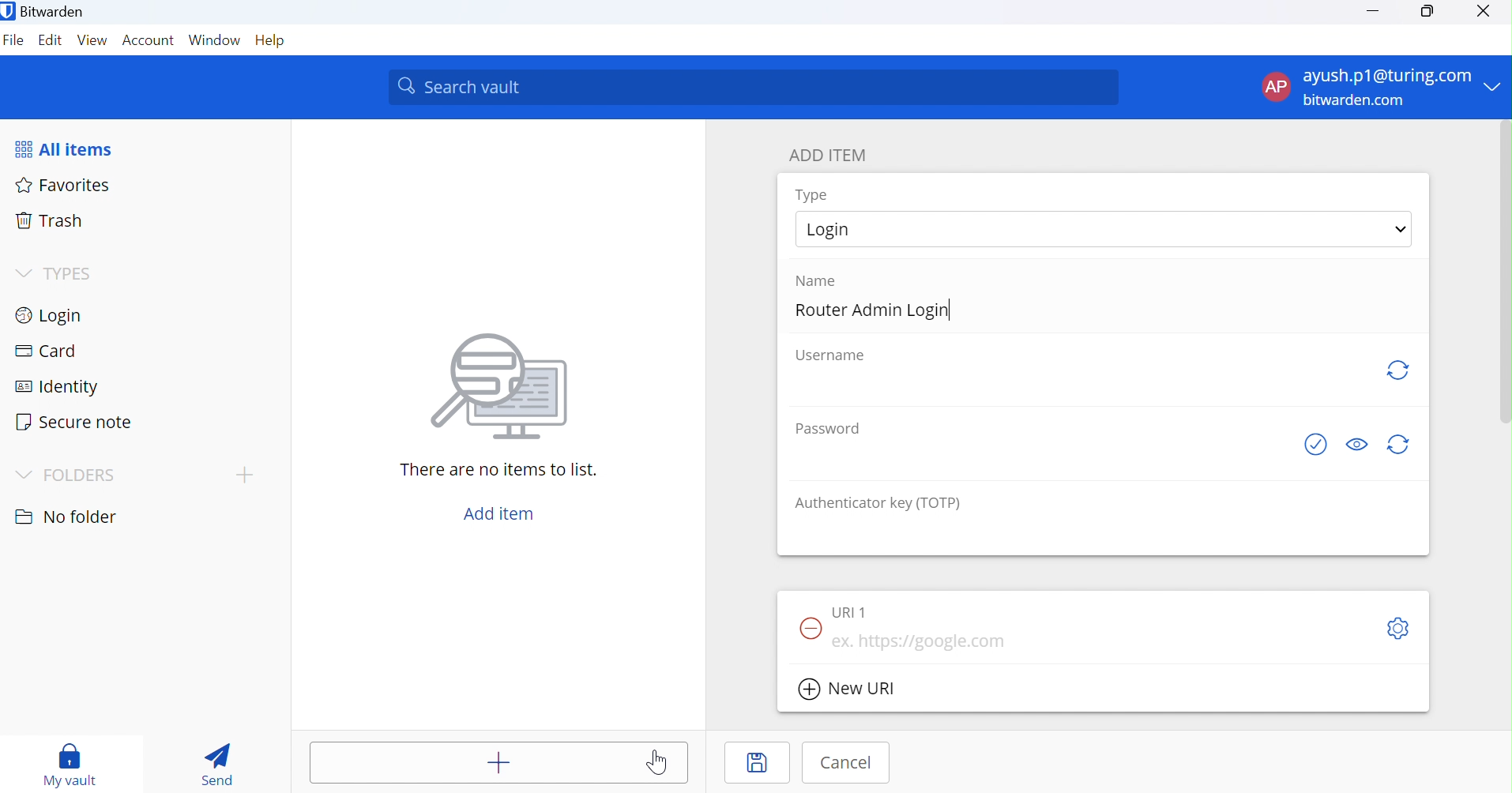 The height and width of the screenshot is (793, 1512). What do you see at coordinates (754, 88) in the screenshot?
I see `Search vaiut` at bounding box center [754, 88].